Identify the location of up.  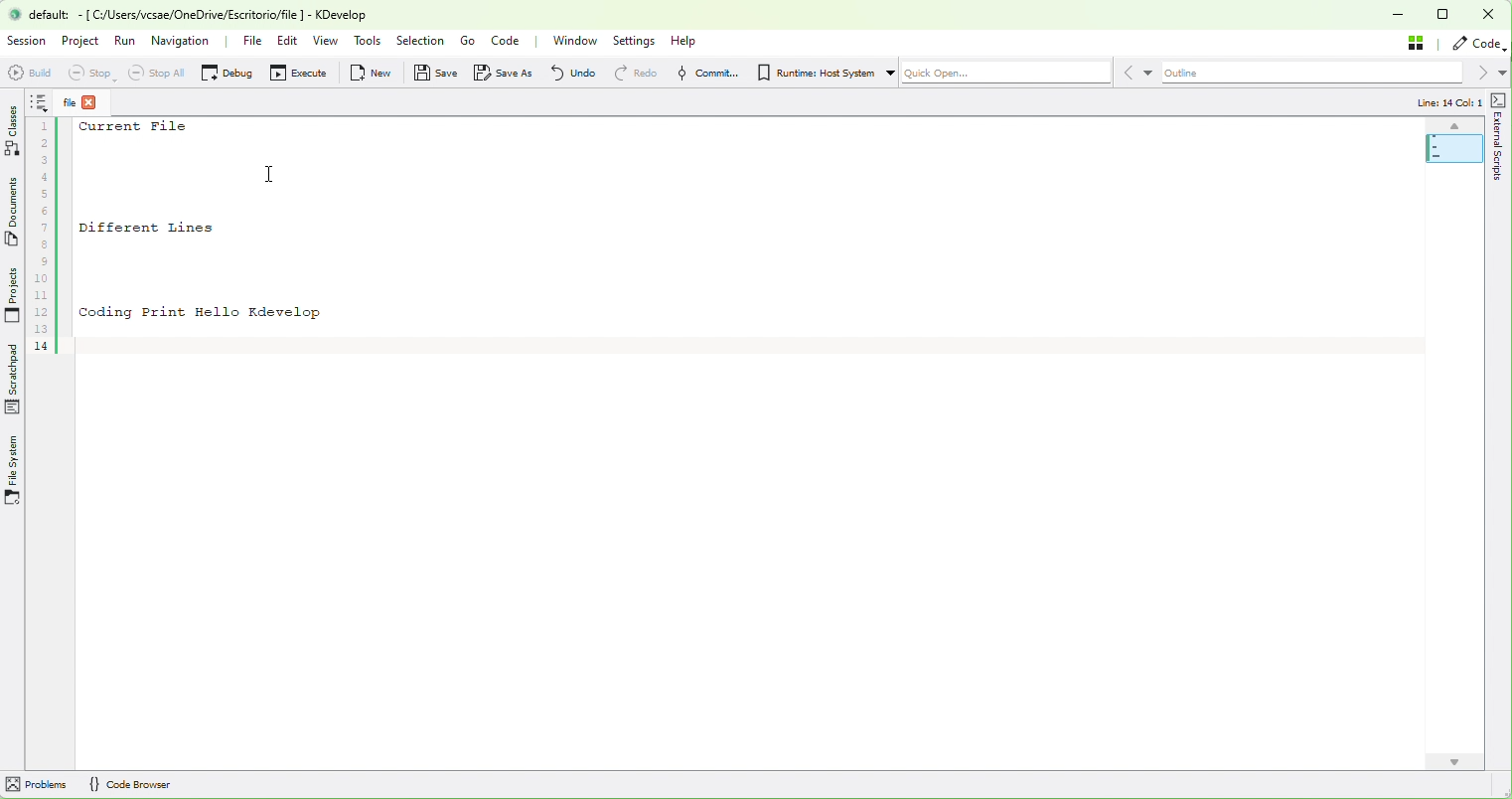
(1453, 126).